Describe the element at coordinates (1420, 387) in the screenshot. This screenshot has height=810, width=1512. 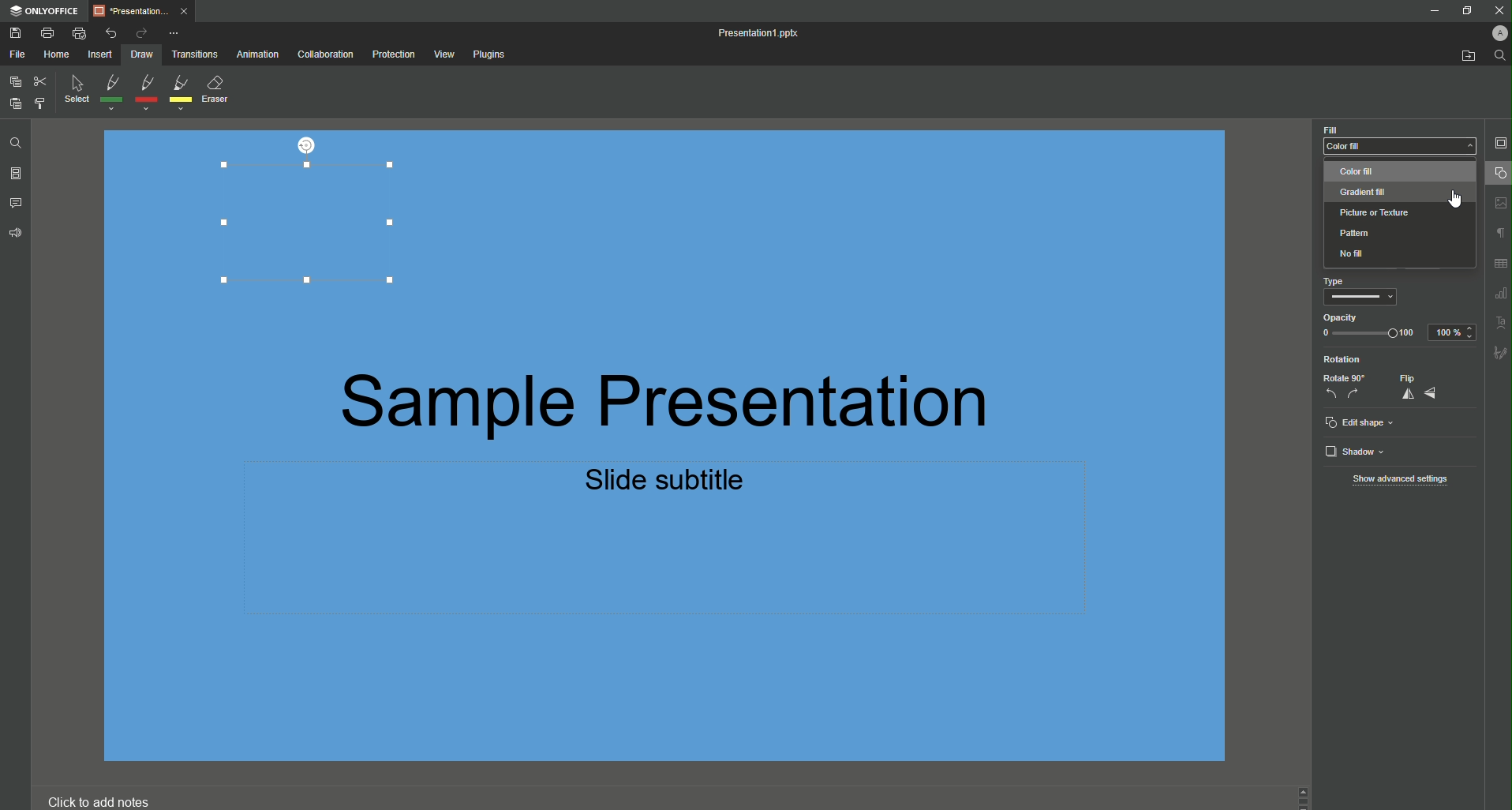
I see `Flip` at that location.